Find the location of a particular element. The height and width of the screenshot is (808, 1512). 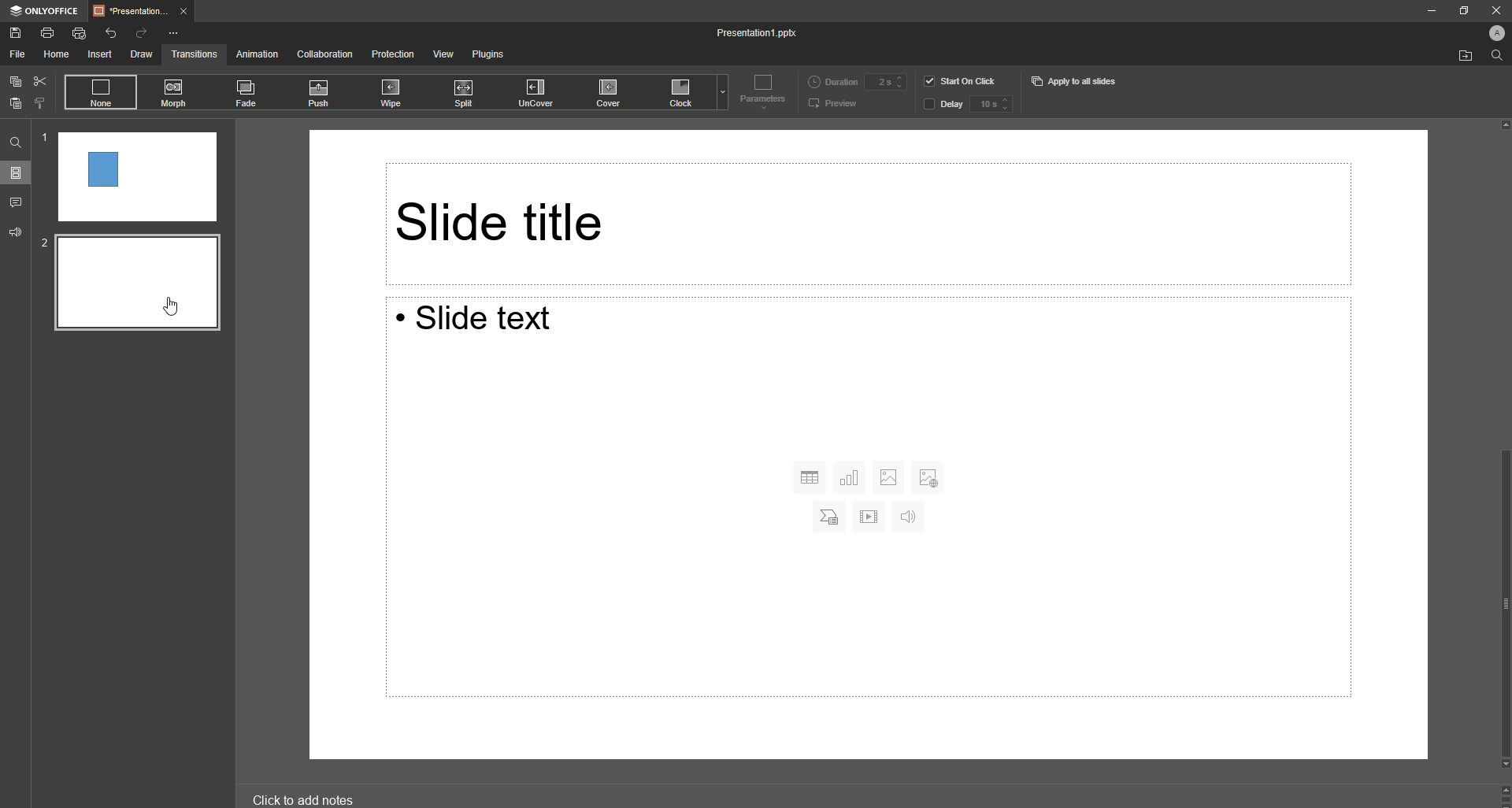

Cover is located at coordinates (600, 94).